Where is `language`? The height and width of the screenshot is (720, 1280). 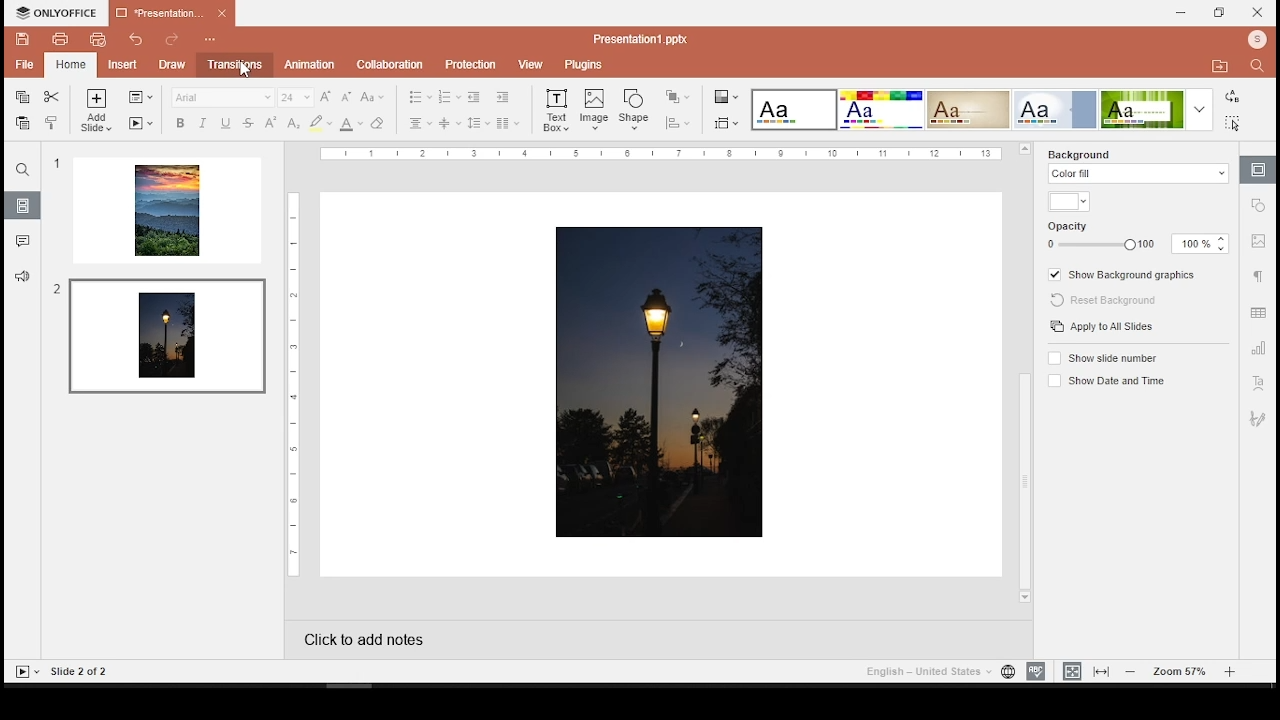 language is located at coordinates (1007, 672).